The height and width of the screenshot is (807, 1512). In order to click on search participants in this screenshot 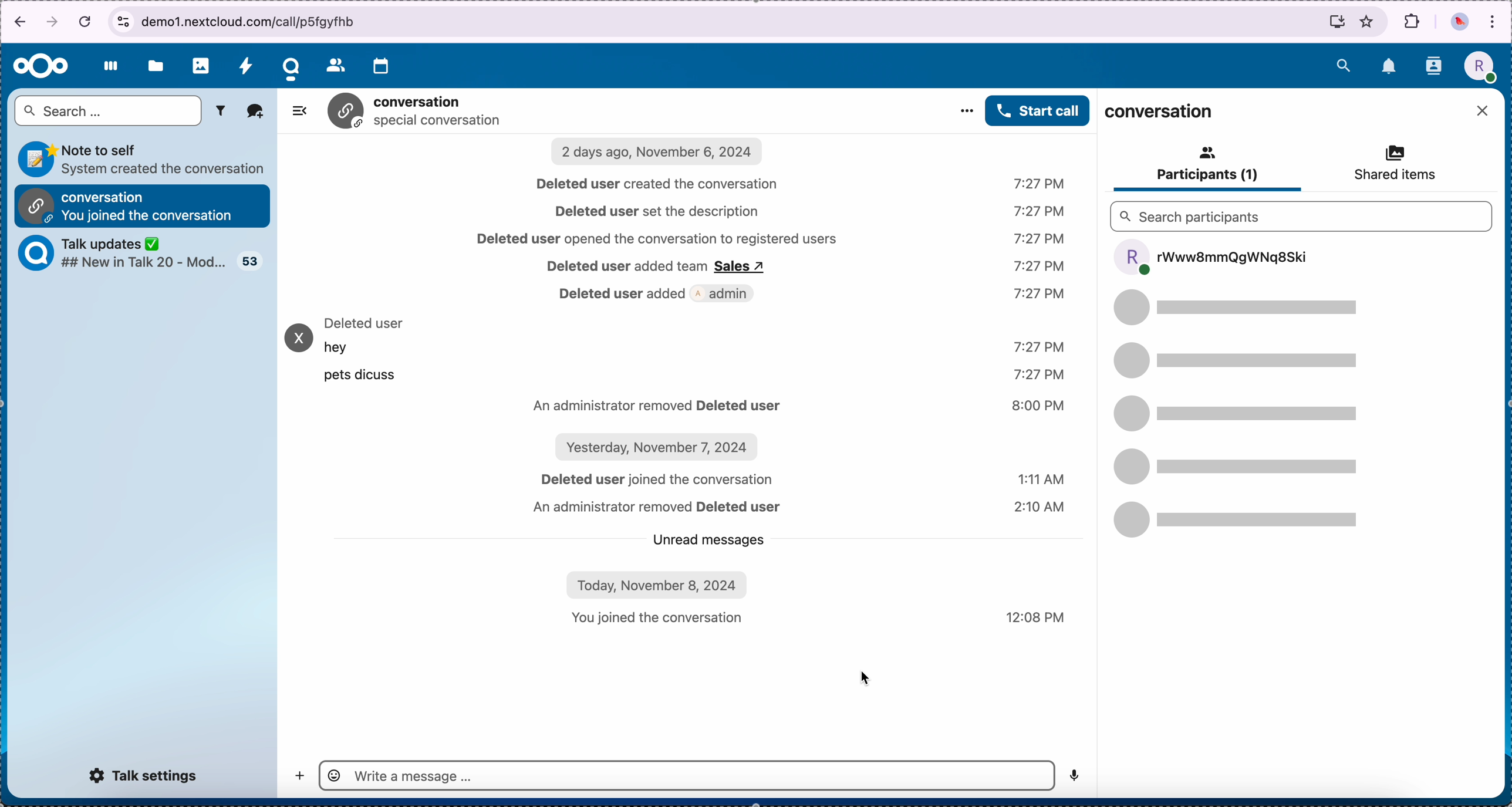, I will do `click(1300, 215)`.